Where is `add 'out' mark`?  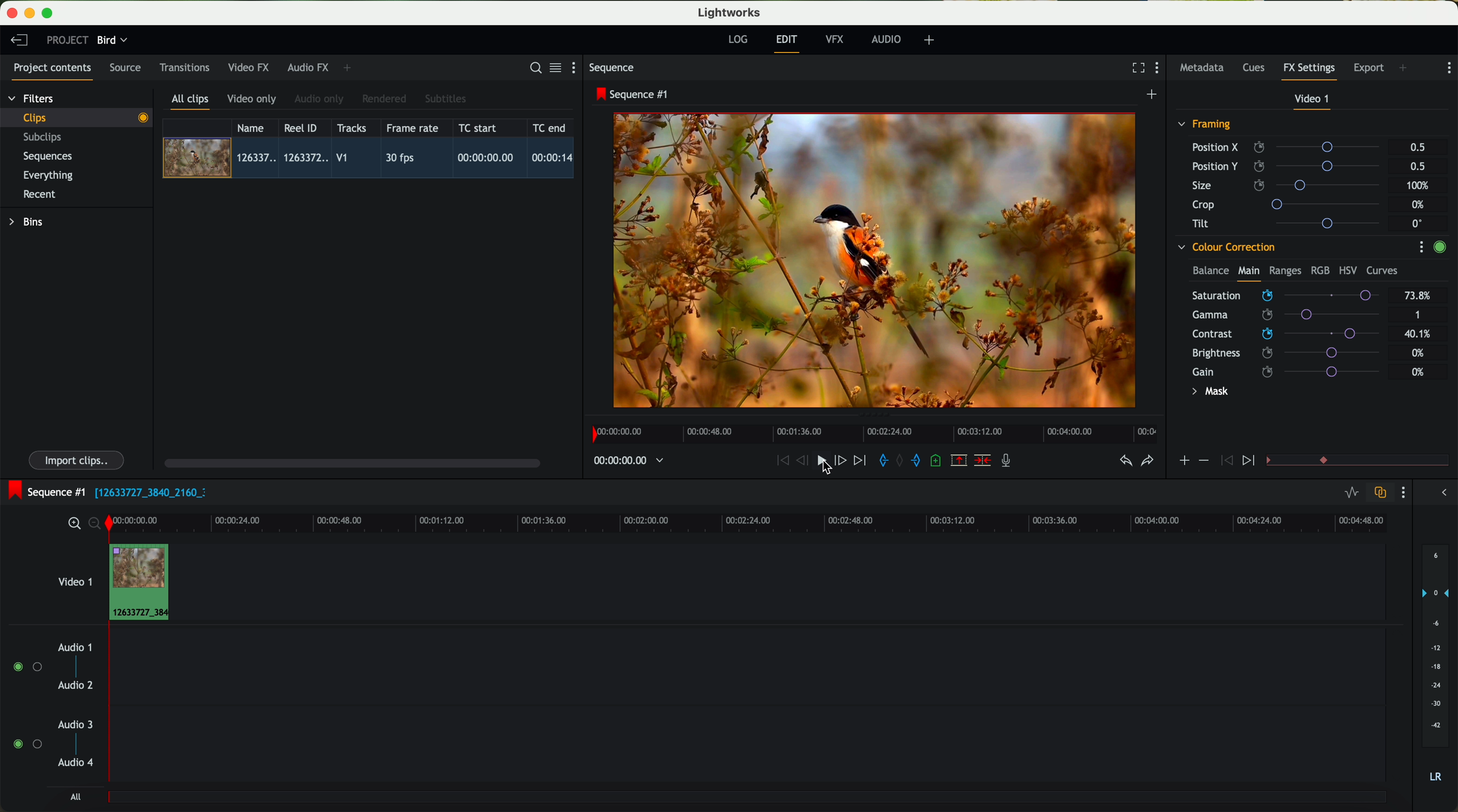 add 'out' mark is located at coordinates (921, 459).